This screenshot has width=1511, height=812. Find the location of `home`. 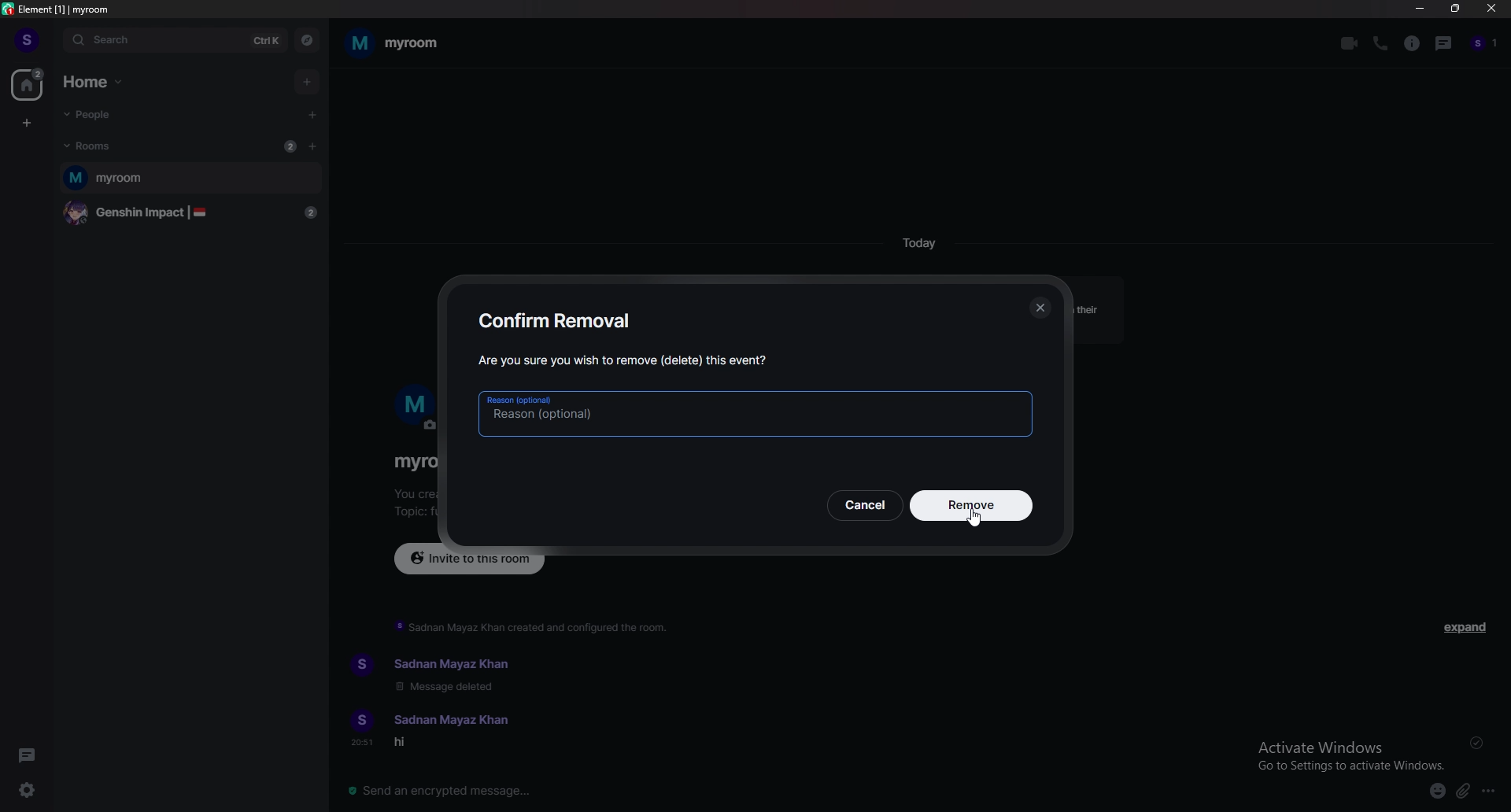

home is located at coordinates (95, 82).